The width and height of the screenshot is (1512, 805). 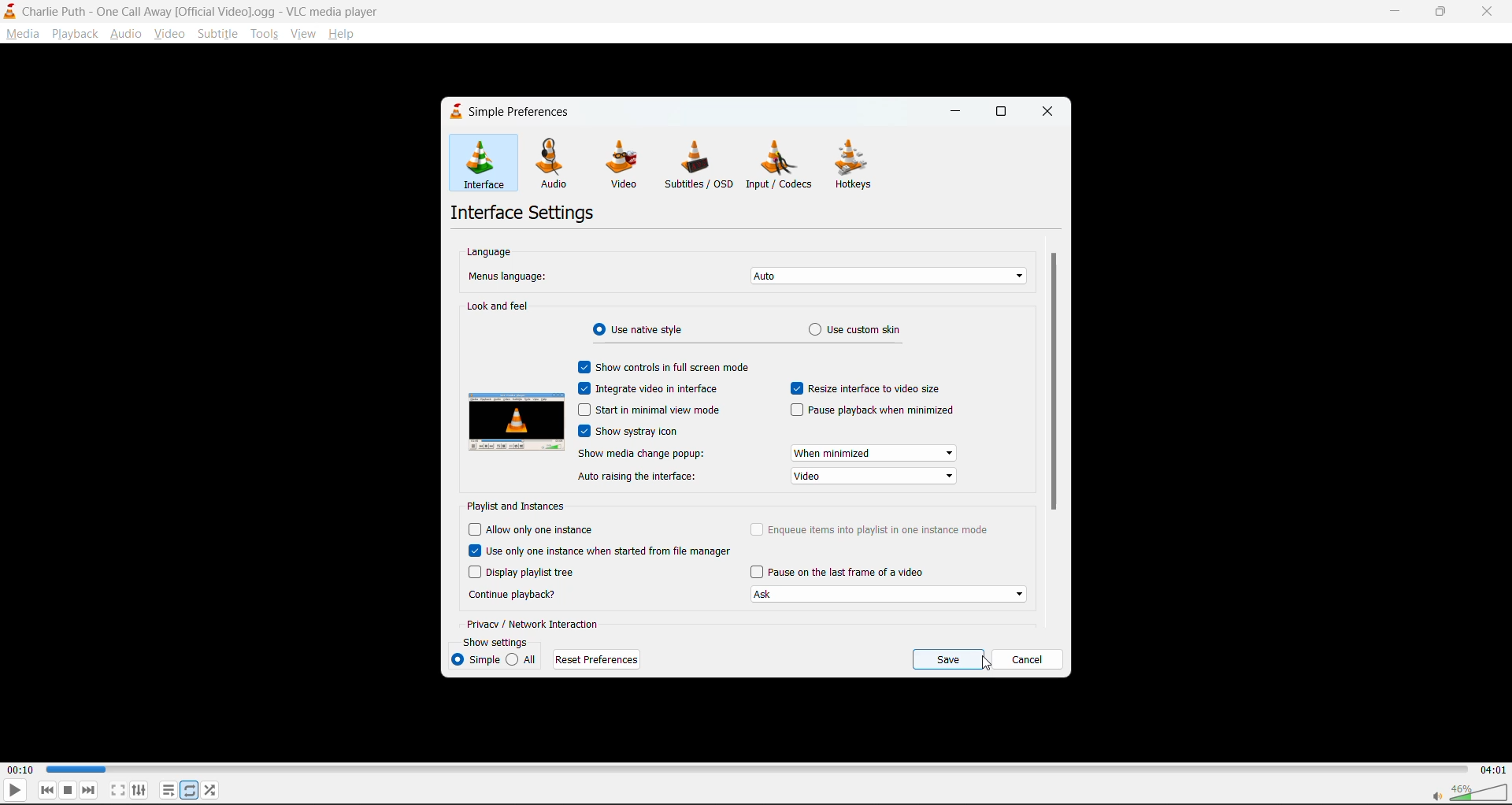 What do you see at coordinates (861, 166) in the screenshot?
I see `hotkeys` at bounding box center [861, 166].